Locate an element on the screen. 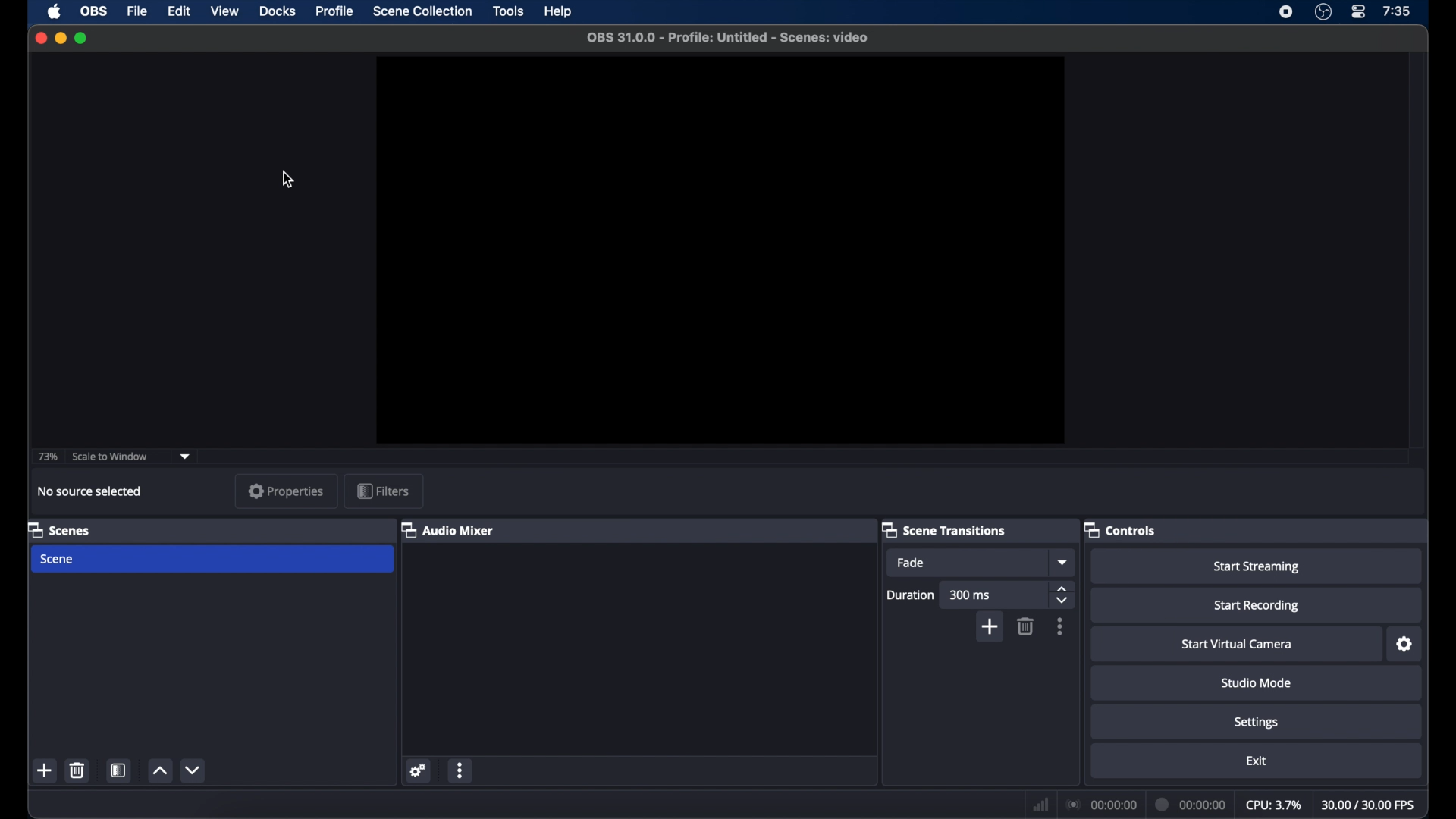 This screenshot has width=1456, height=819. more options is located at coordinates (1060, 626).